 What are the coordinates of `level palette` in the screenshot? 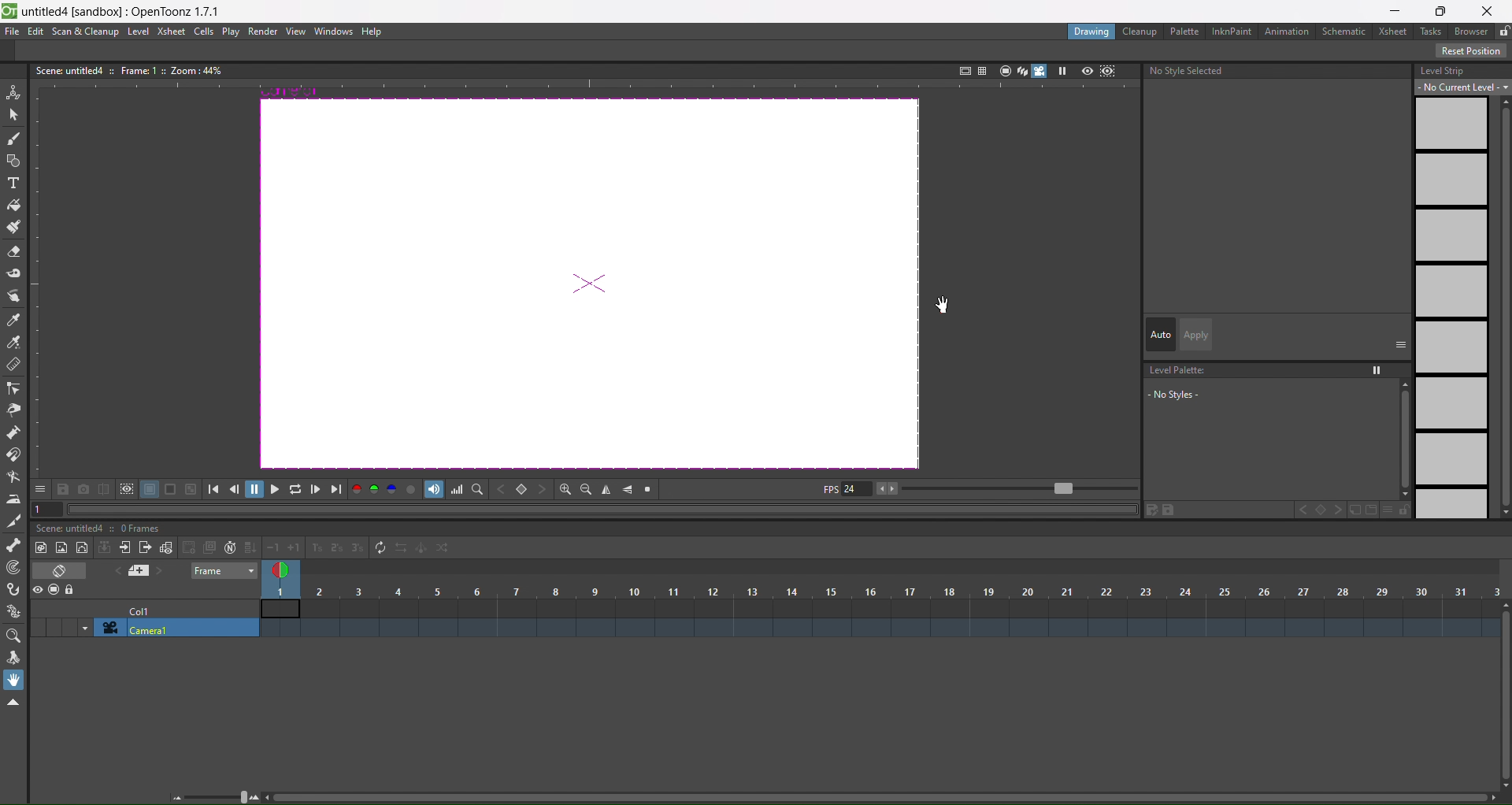 It's located at (1274, 395).